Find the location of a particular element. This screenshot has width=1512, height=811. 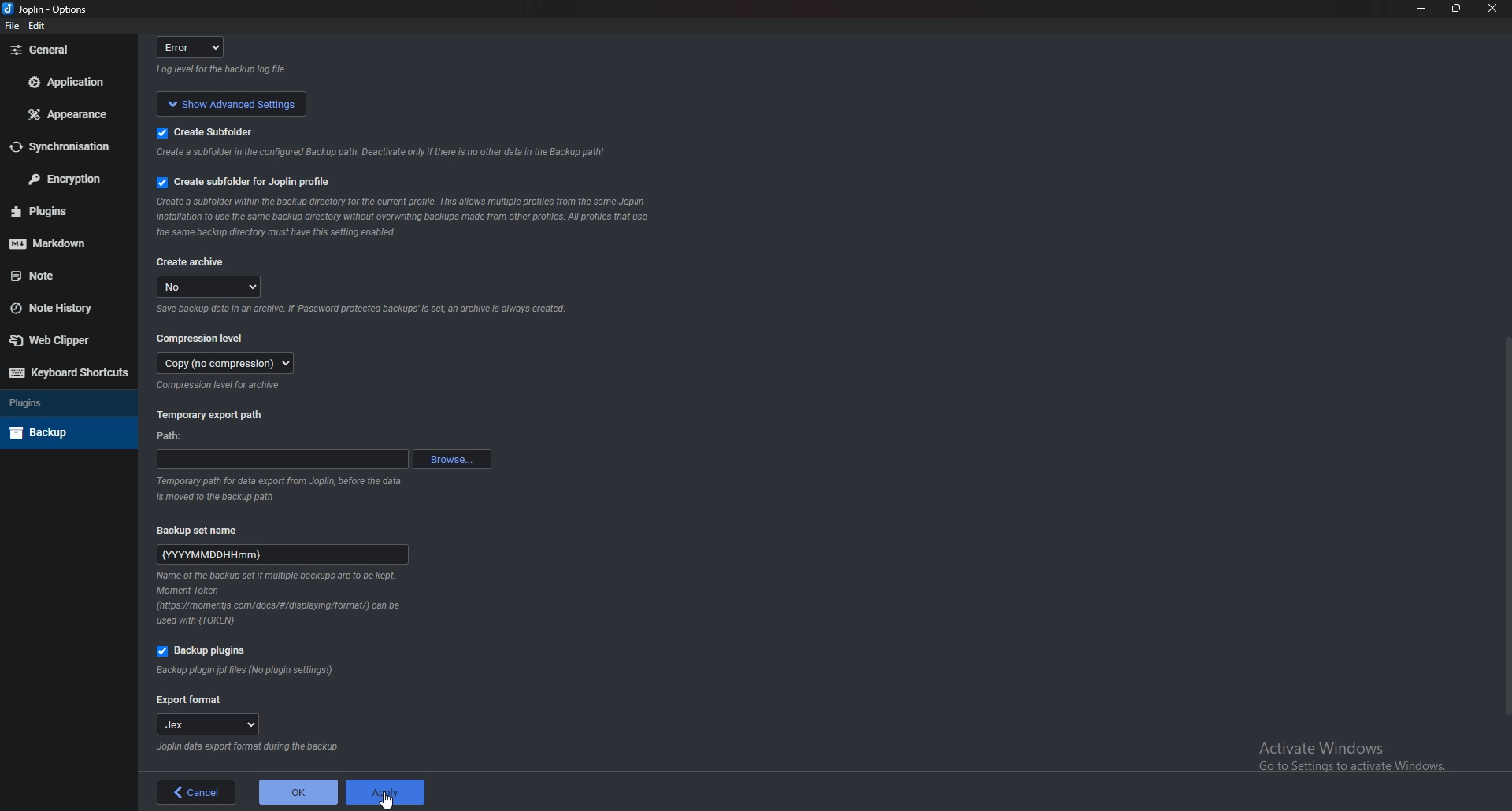

Info is located at coordinates (402, 218).